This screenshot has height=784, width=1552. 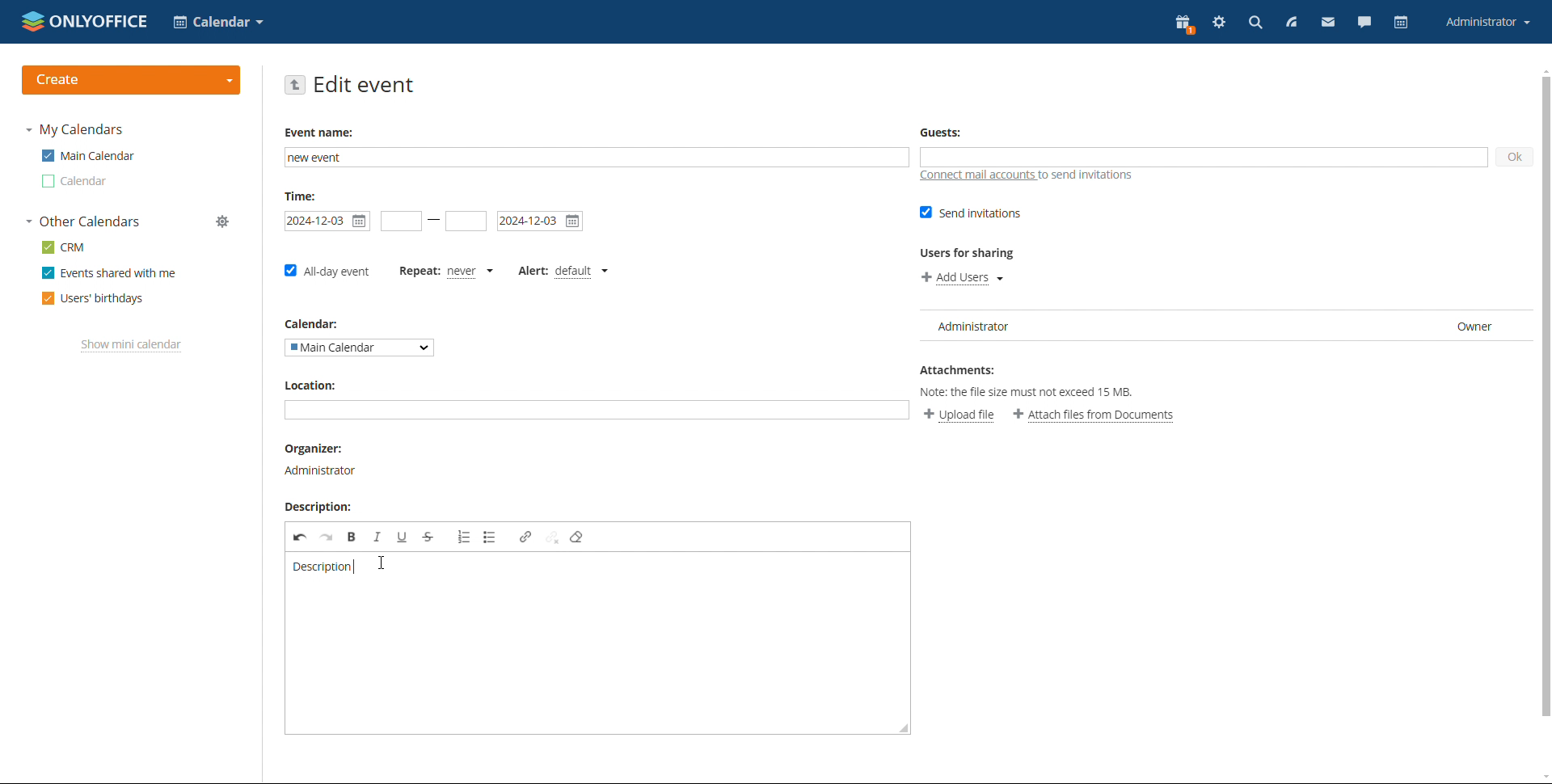 I want to click on crm, so click(x=62, y=248).